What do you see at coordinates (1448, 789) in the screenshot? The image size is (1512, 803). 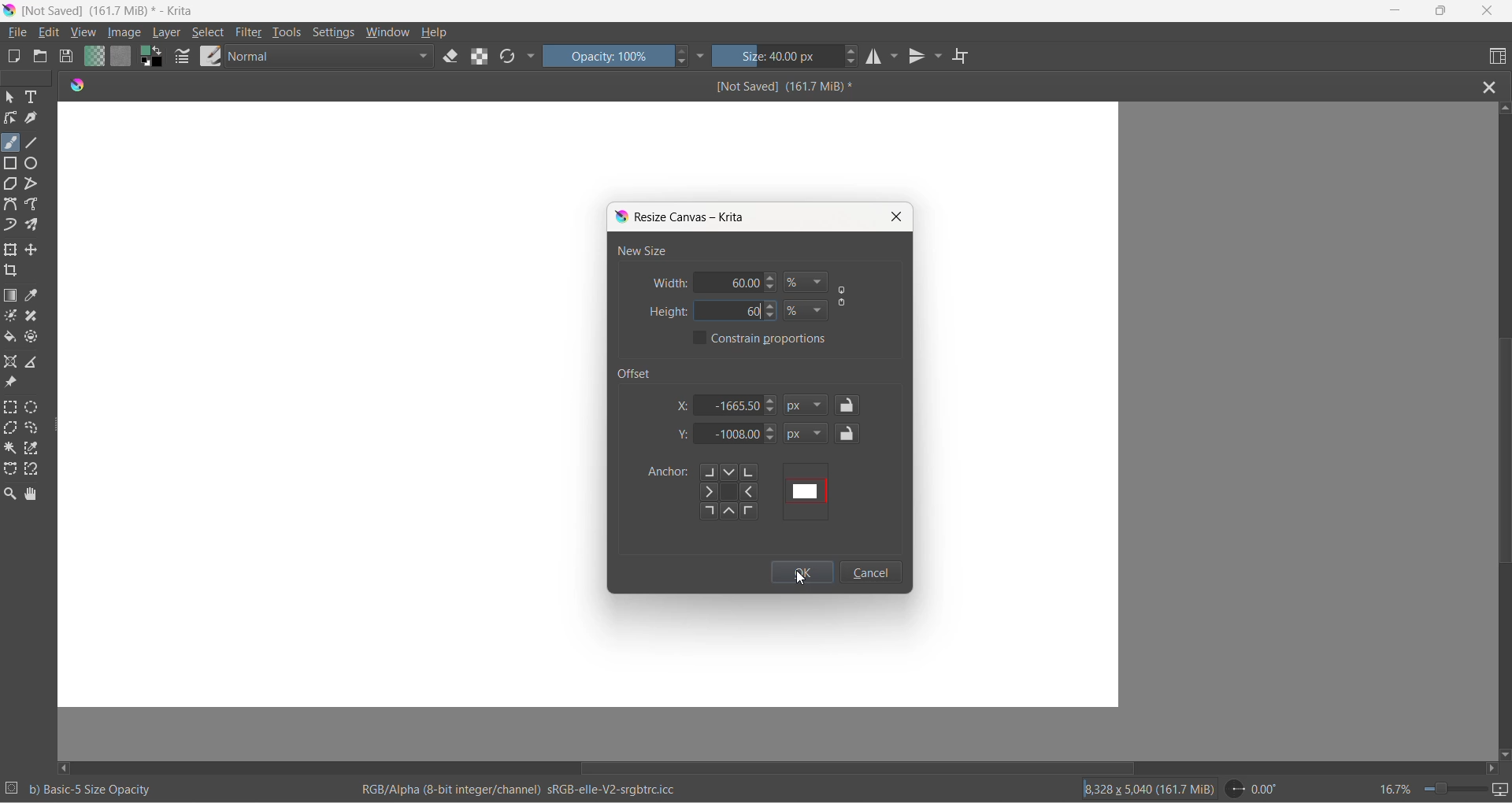 I see `zoom slider` at bounding box center [1448, 789].